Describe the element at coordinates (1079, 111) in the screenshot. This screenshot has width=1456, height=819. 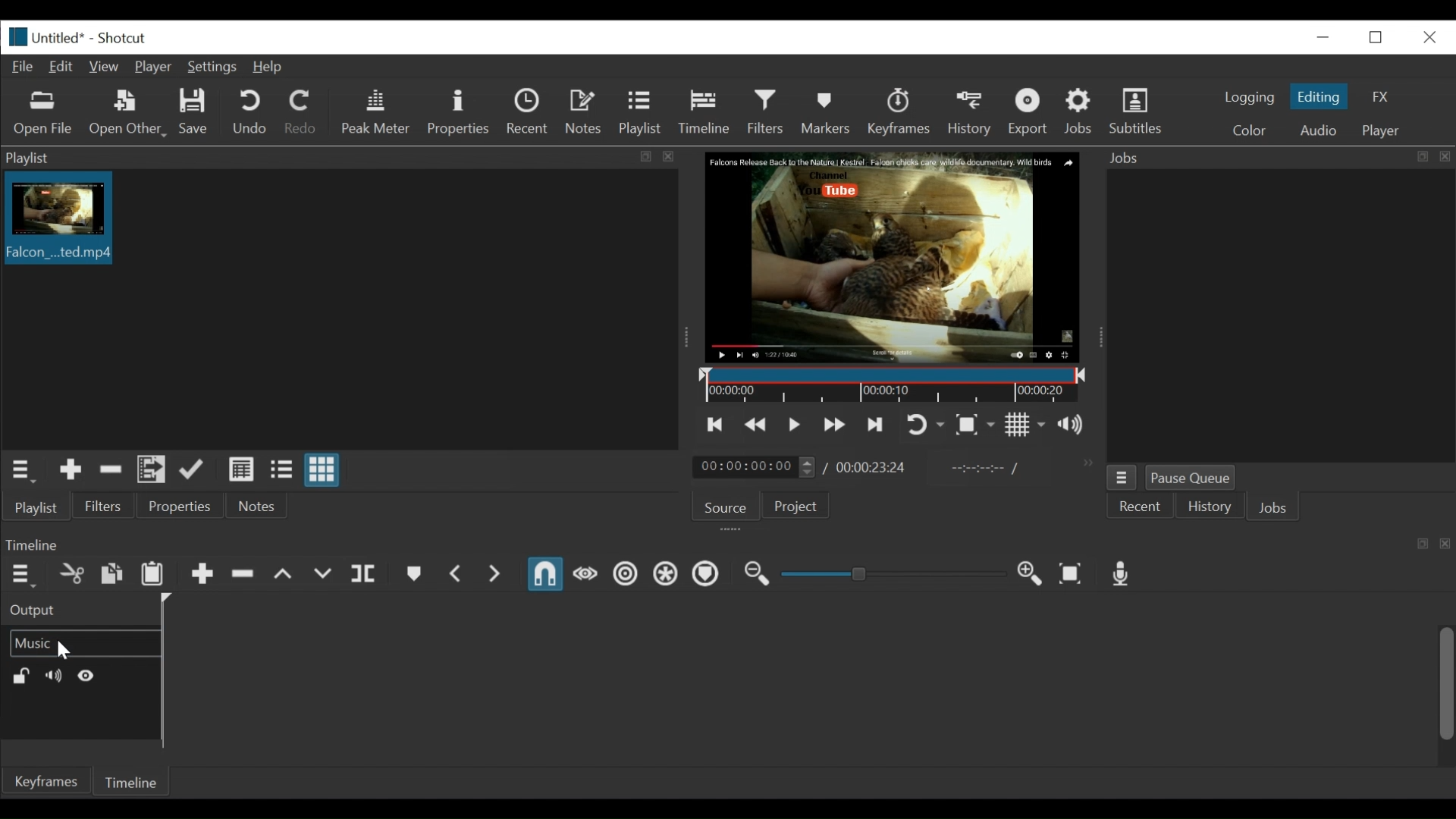
I see `Jobs` at that location.